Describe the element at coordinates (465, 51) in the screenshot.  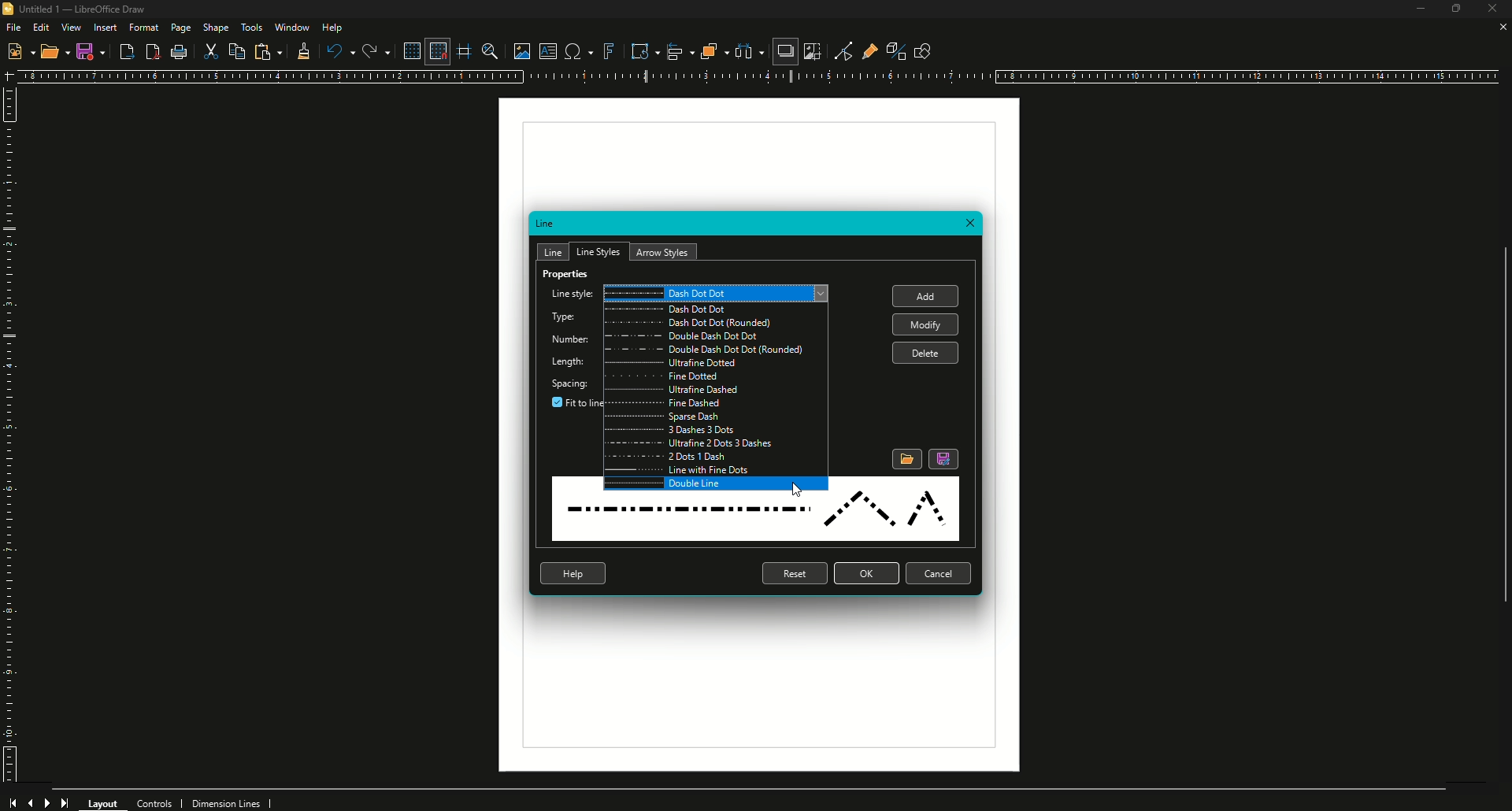
I see `Helplines` at that location.